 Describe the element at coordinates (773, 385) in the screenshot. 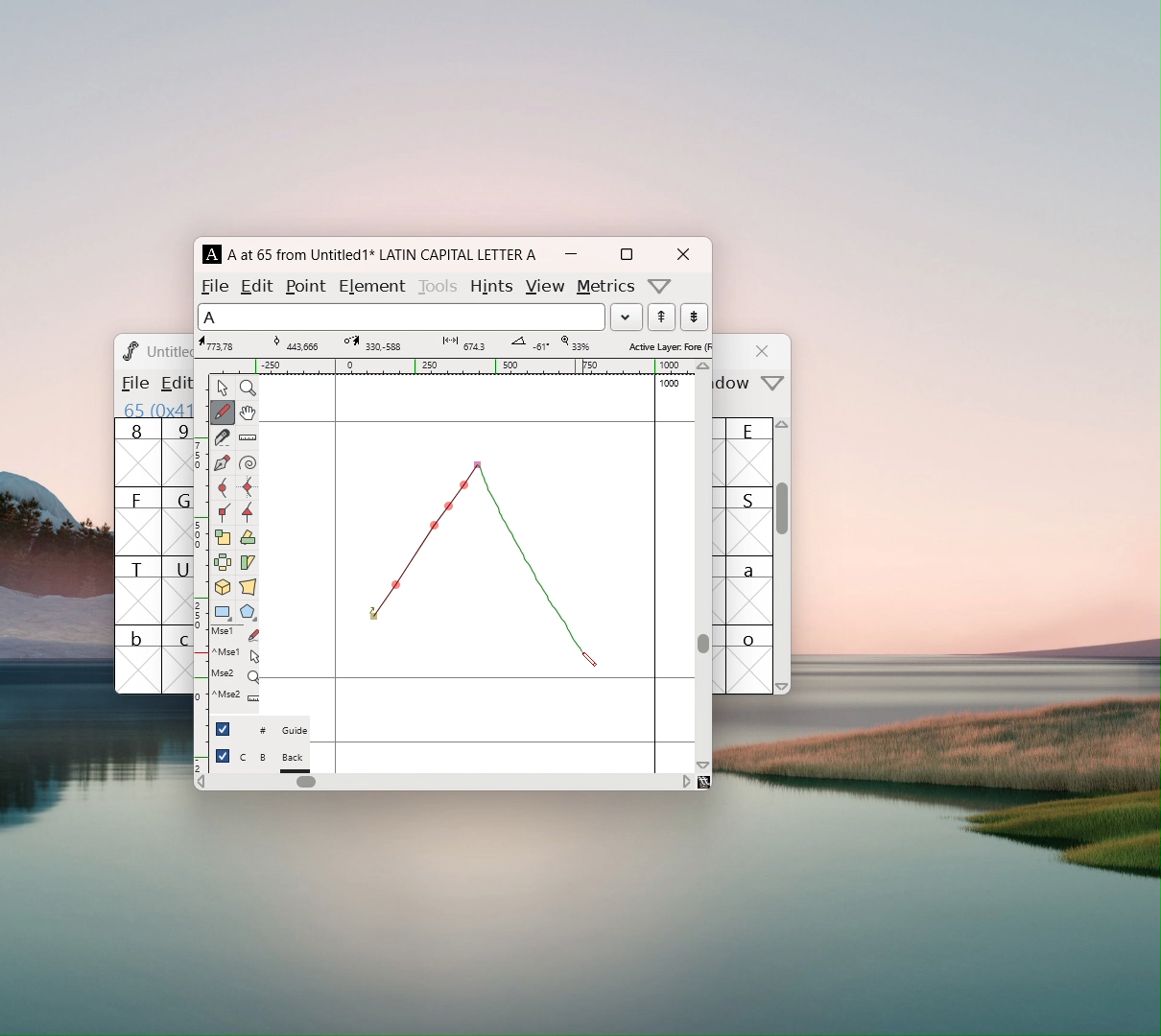

I see `more options` at that location.